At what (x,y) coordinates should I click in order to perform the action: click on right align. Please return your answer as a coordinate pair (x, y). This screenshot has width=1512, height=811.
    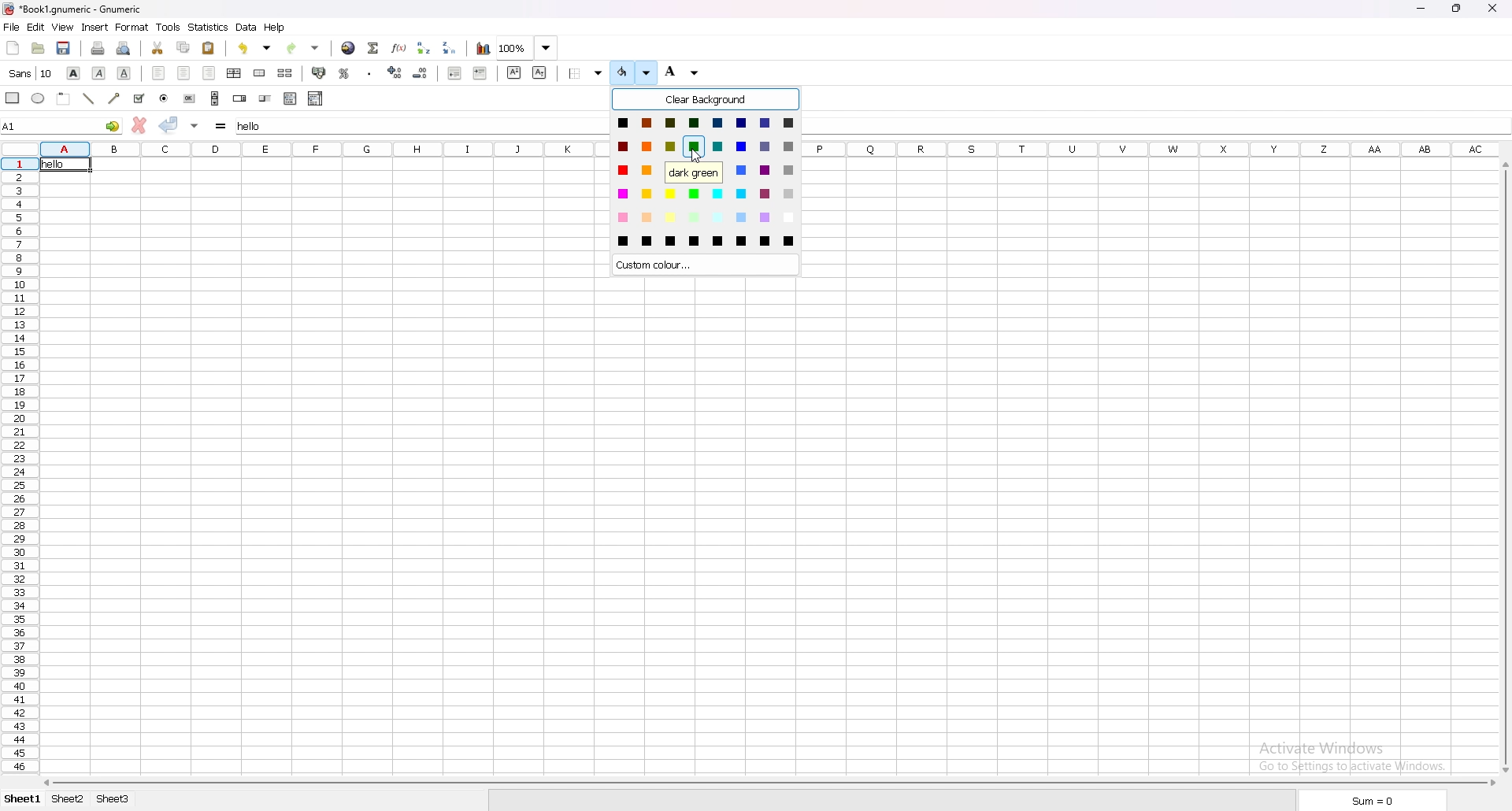
    Looking at the image, I should click on (211, 74).